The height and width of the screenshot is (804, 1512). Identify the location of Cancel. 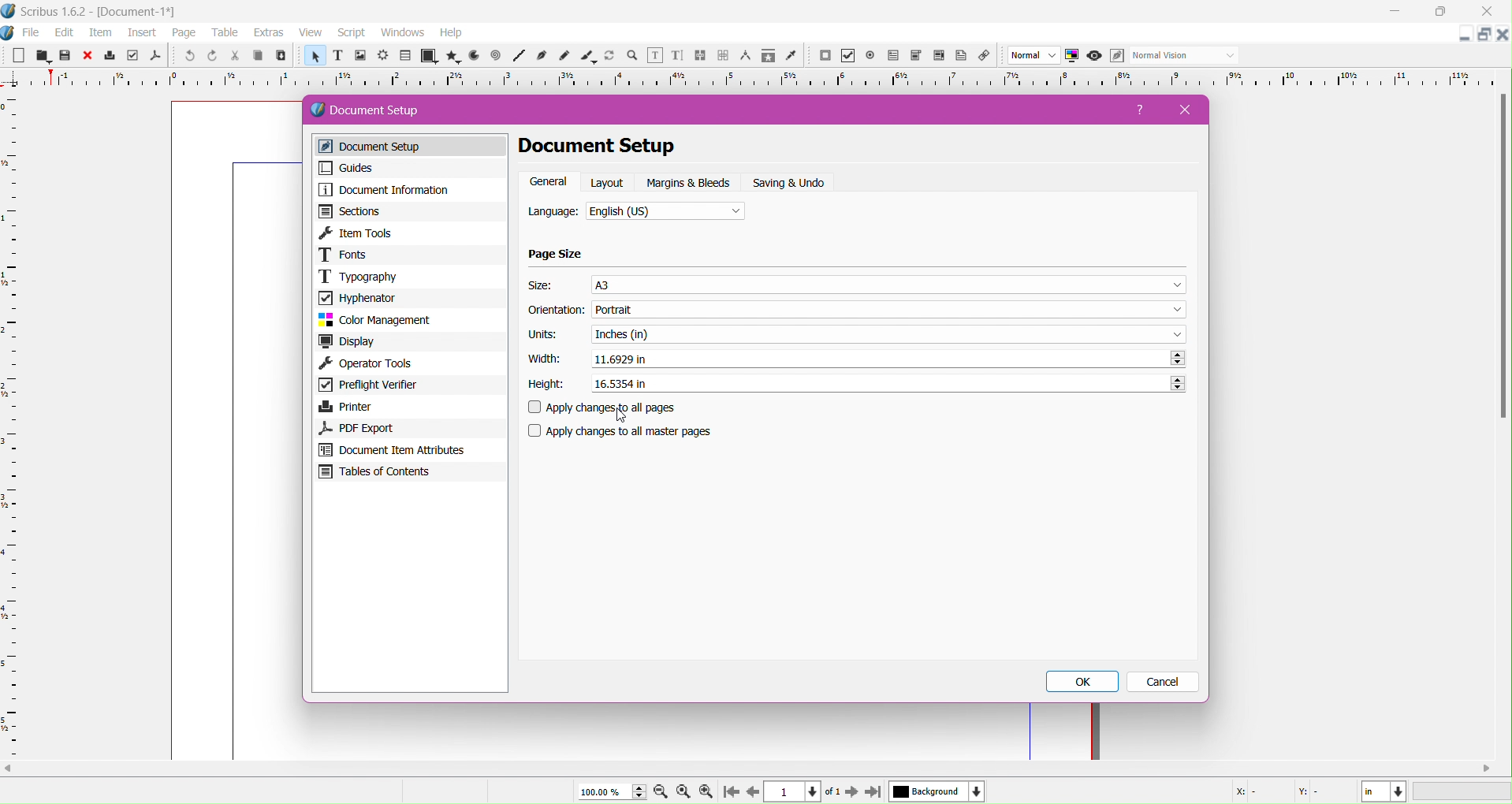
(1164, 683).